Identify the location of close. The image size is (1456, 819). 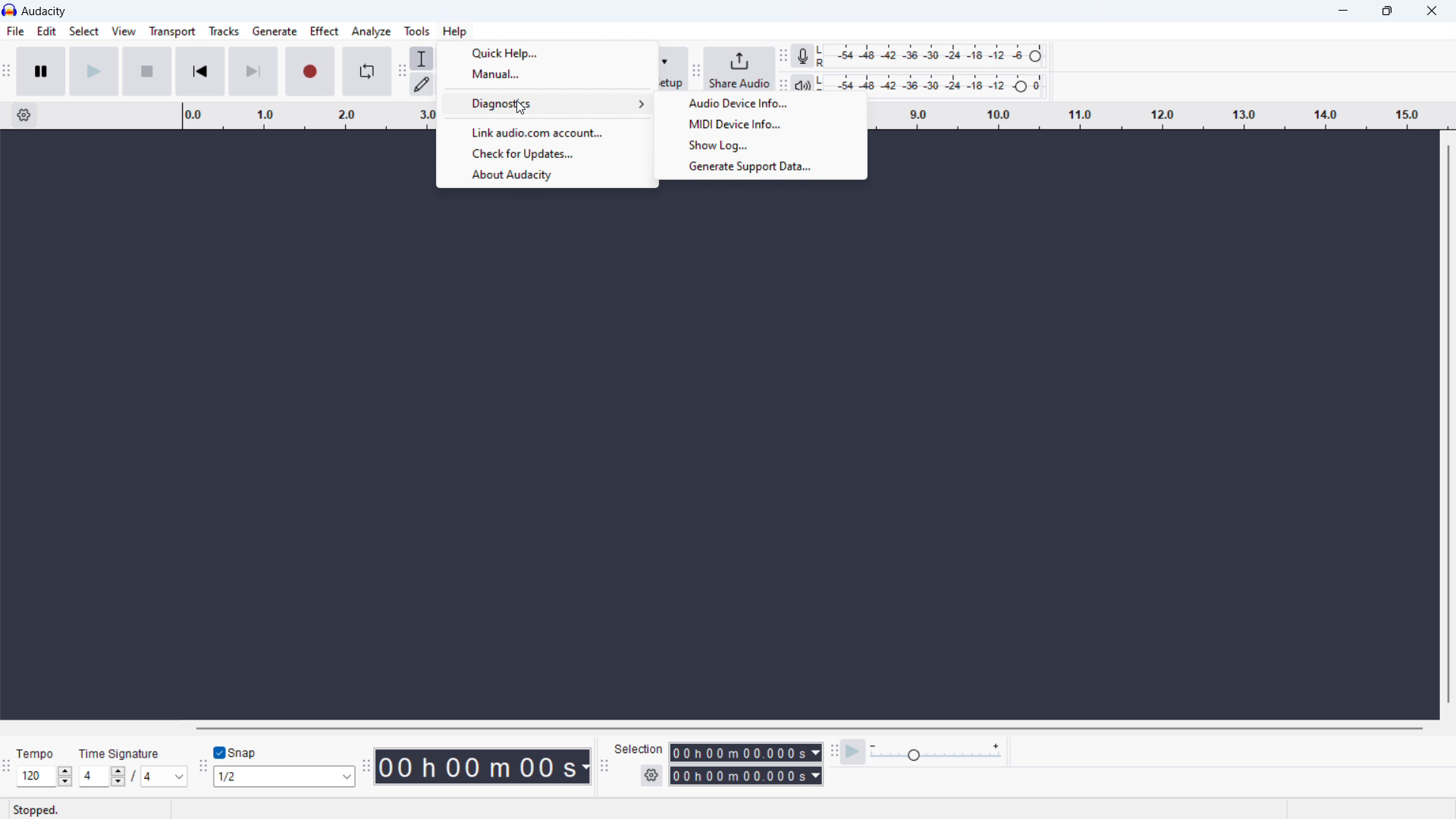
(1433, 11).